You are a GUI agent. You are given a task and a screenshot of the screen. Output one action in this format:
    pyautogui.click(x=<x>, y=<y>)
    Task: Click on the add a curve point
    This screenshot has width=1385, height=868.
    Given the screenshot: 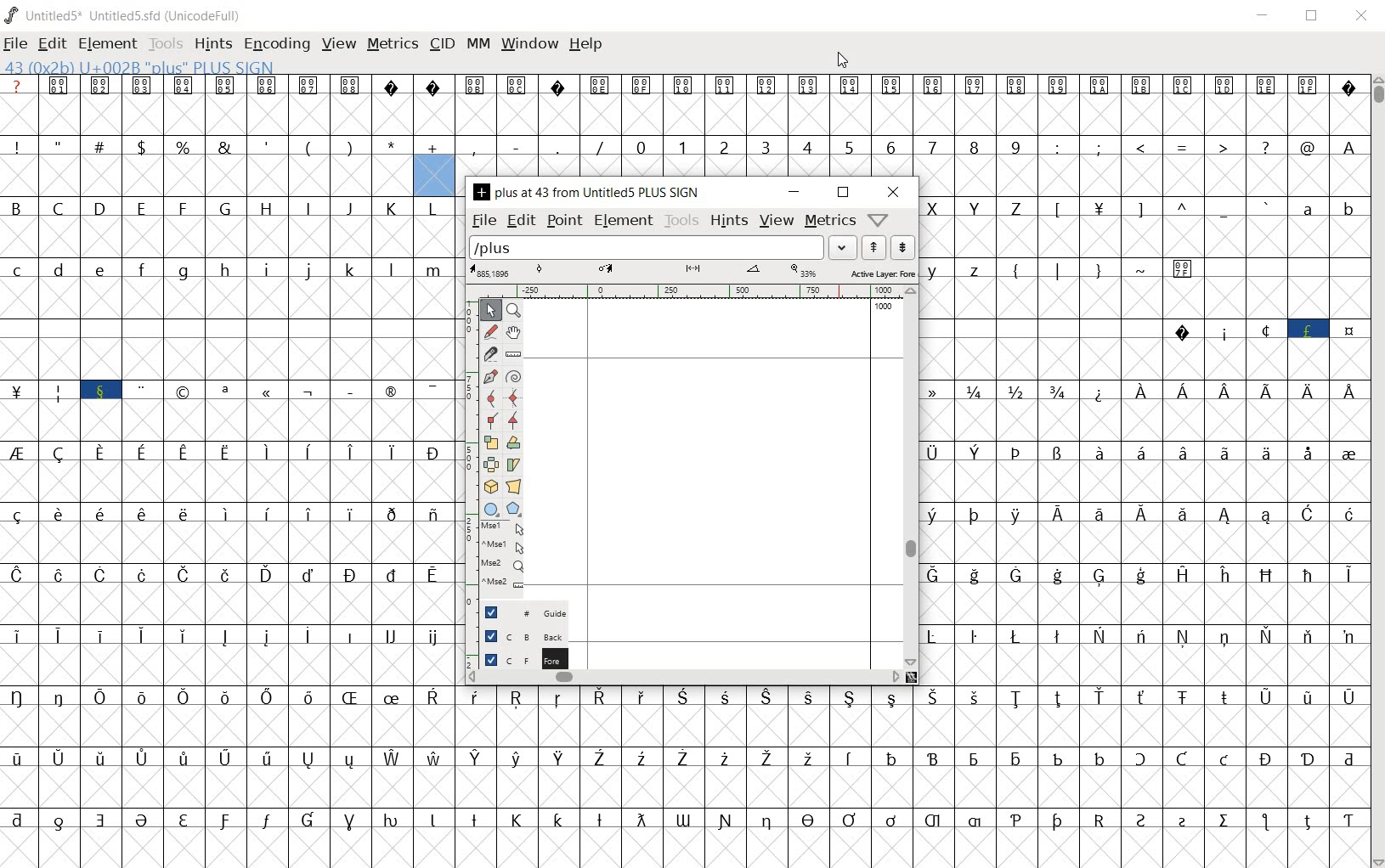 What is the action you would take?
    pyautogui.click(x=491, y=397)
    